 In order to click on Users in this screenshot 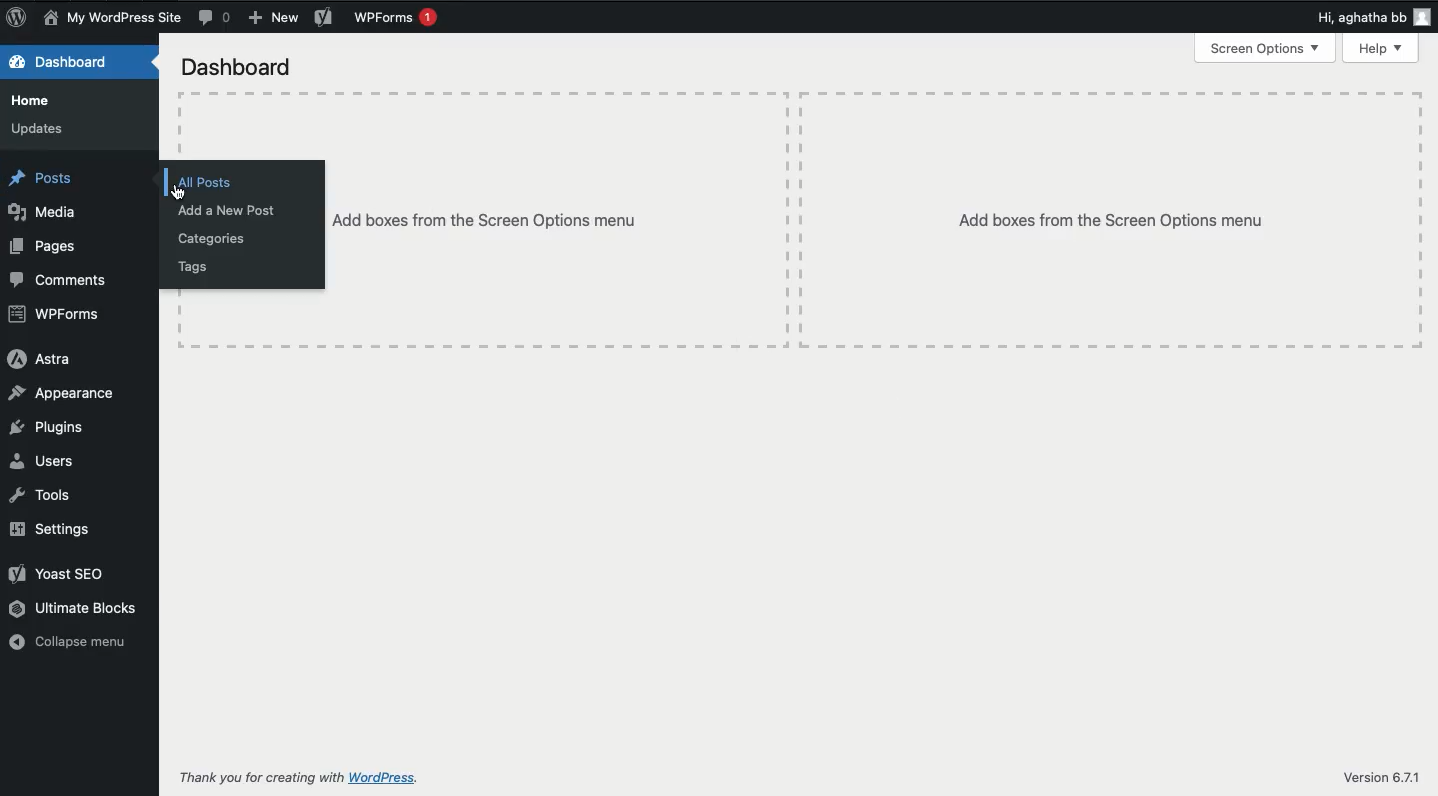, I will do `click(44, 461)`.